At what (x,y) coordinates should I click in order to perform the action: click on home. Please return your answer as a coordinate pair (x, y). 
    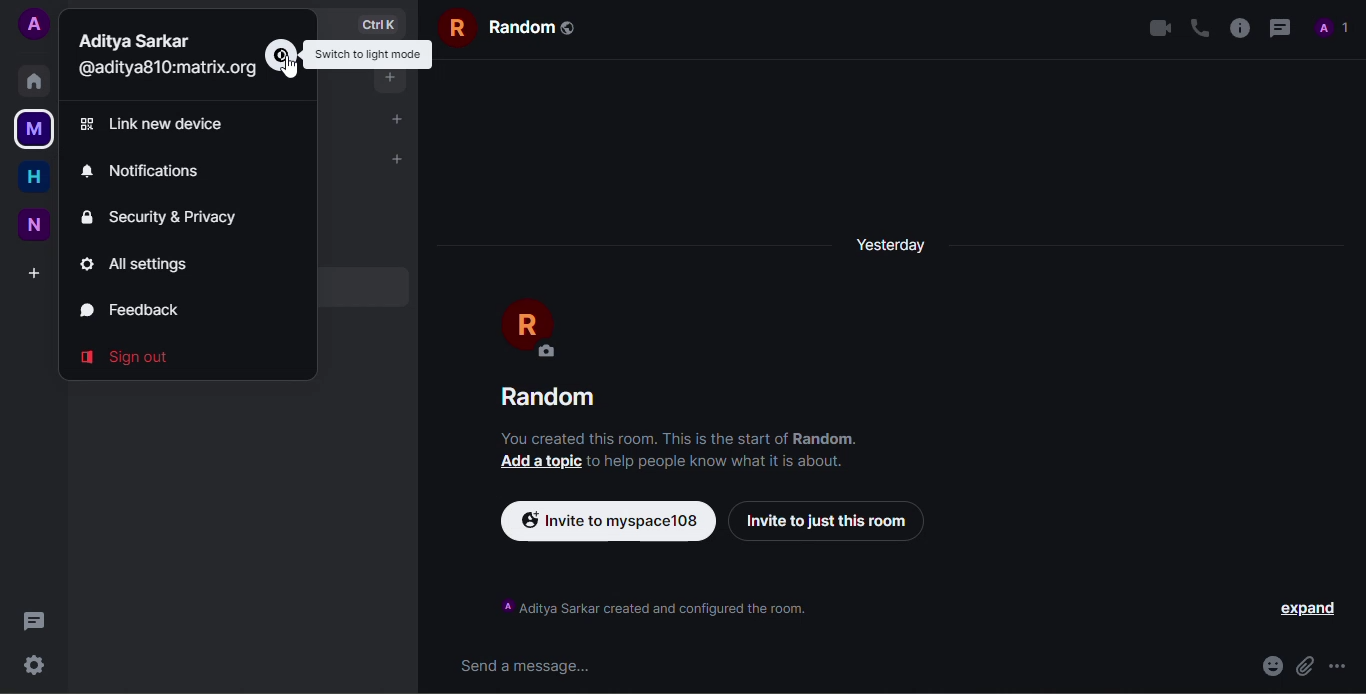
    Looking at the image, I should click on (35, 80).